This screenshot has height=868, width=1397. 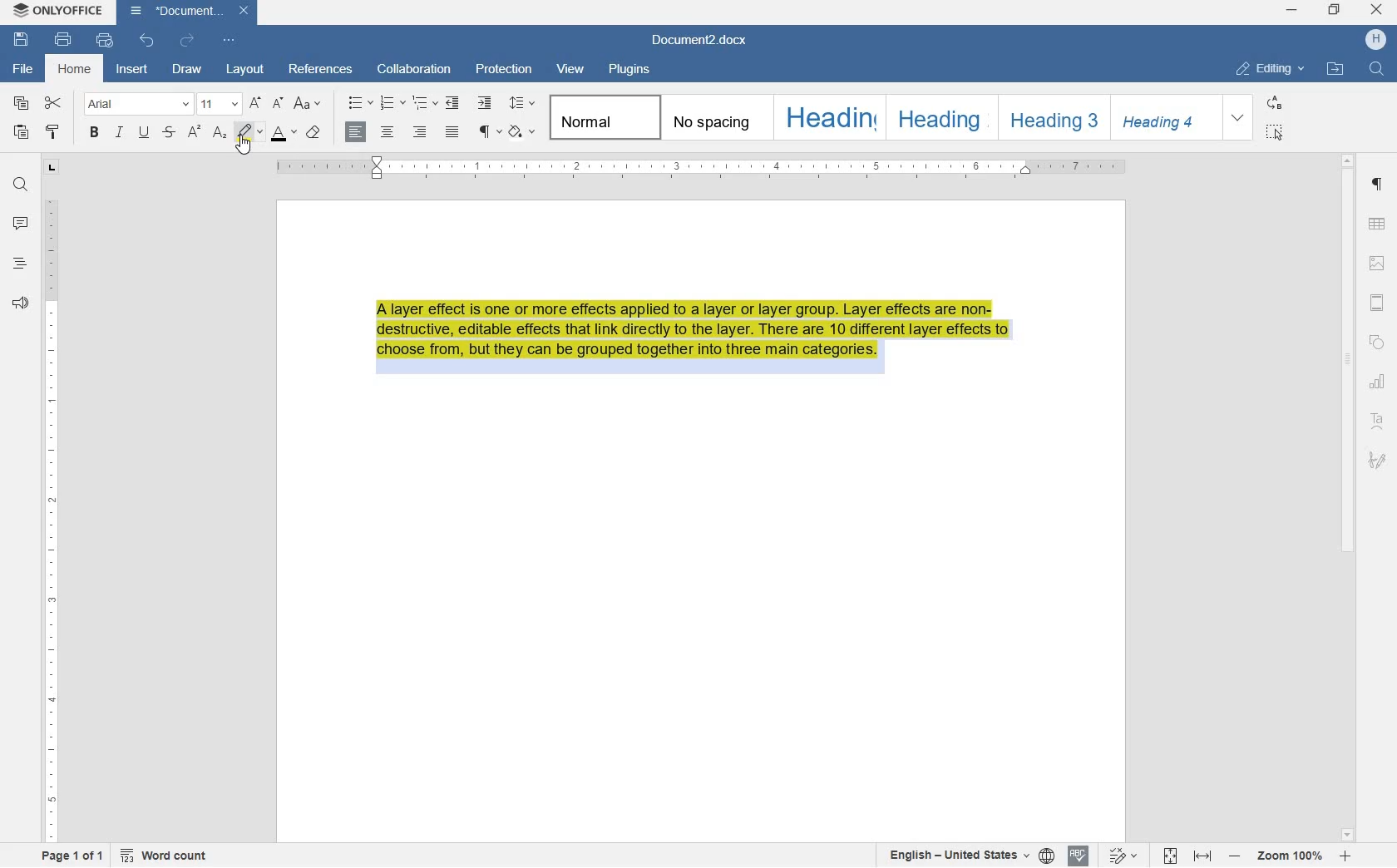 I want to click on FONT SIZE, so click(x=217, y=106).